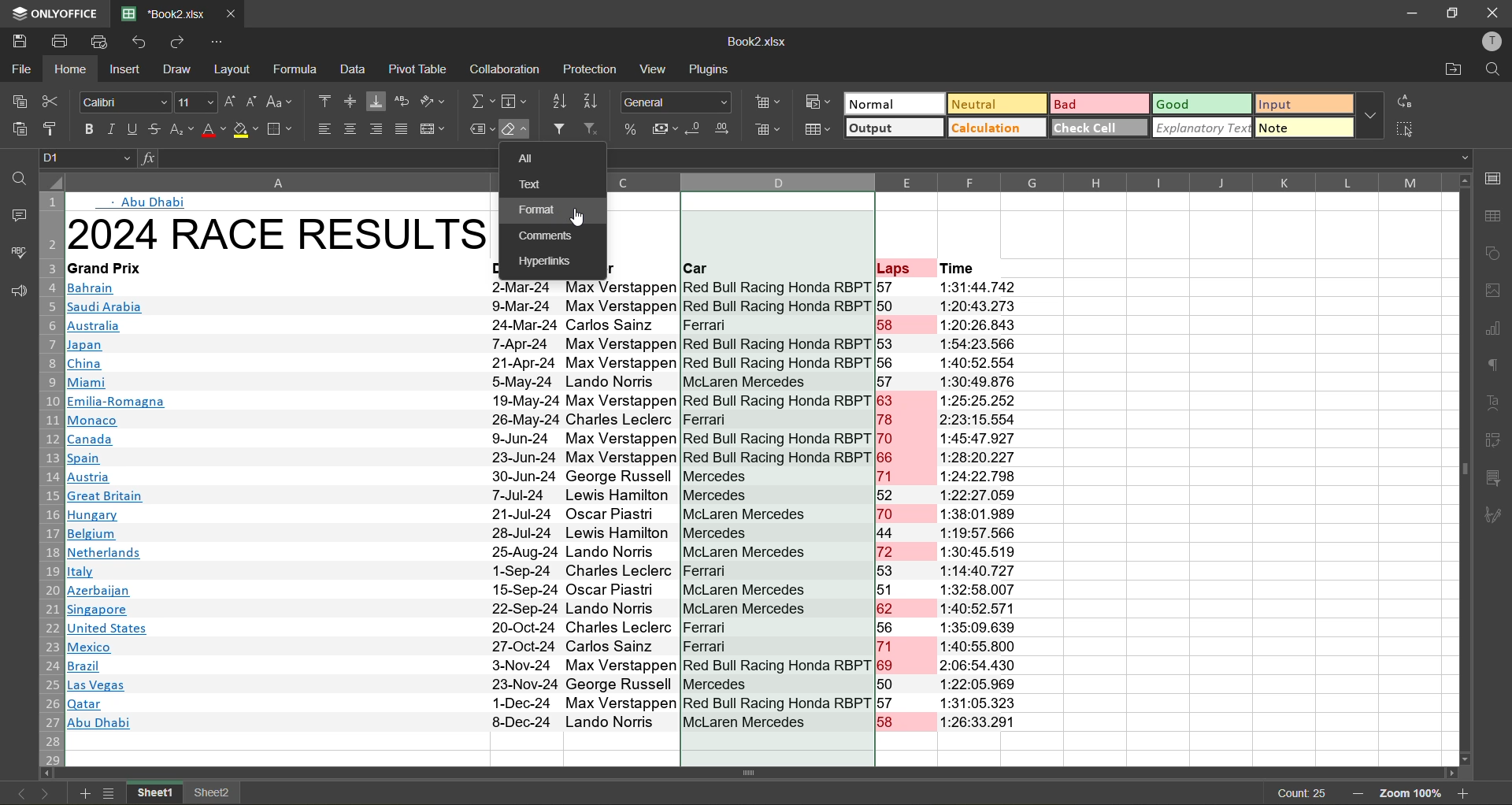  What do you see at coordinates (558, 129) in the screenshot?
I see `filter` at bounding box center [558, 129].